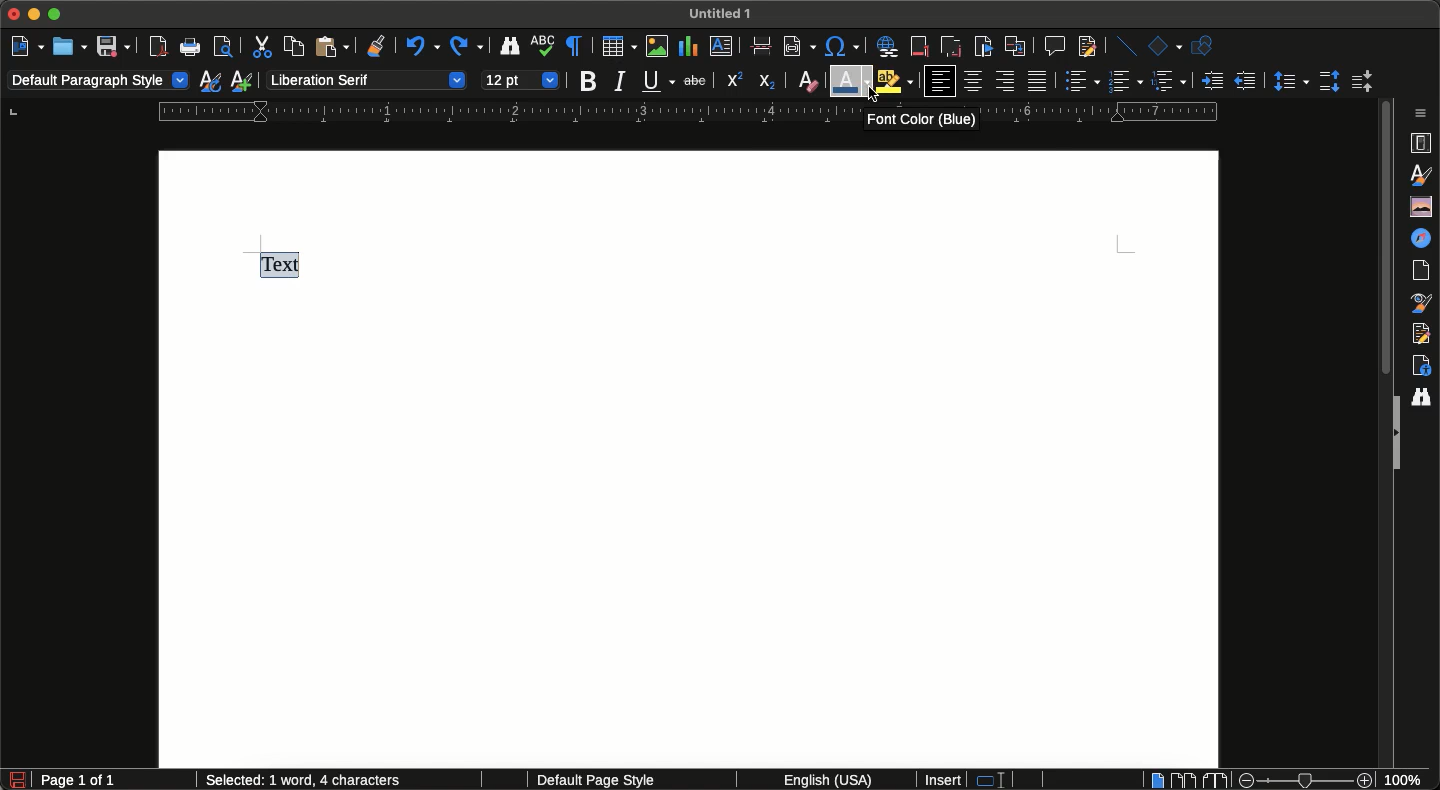 This screenshot has width=1440, height=790. Describe the element at coordinates (1053, 45) in the screenshot. I see `Insert comment` at that location.